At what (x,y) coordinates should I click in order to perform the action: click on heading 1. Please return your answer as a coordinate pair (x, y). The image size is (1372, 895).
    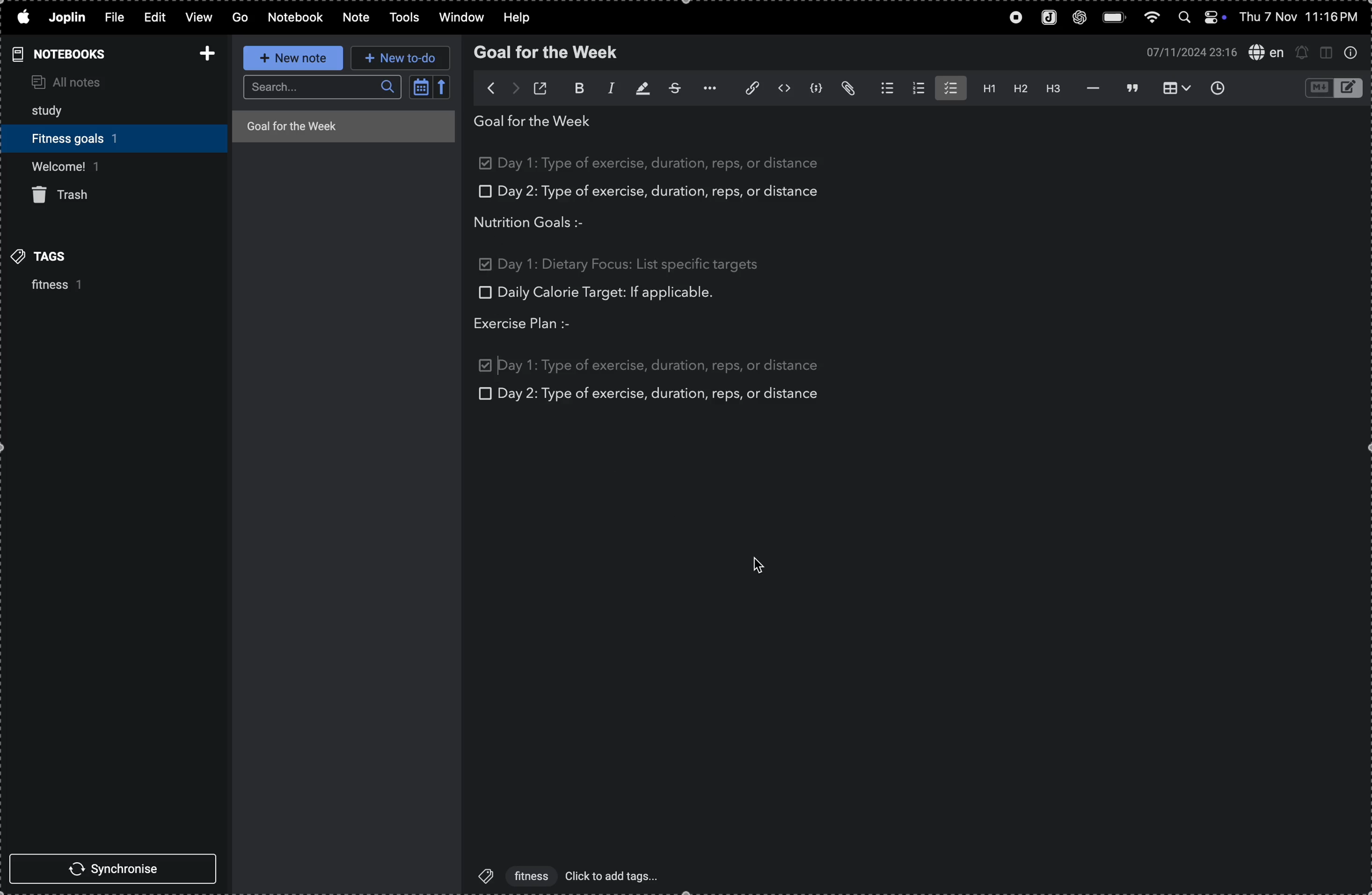
    Looking at the image, I should click on (985, 89).